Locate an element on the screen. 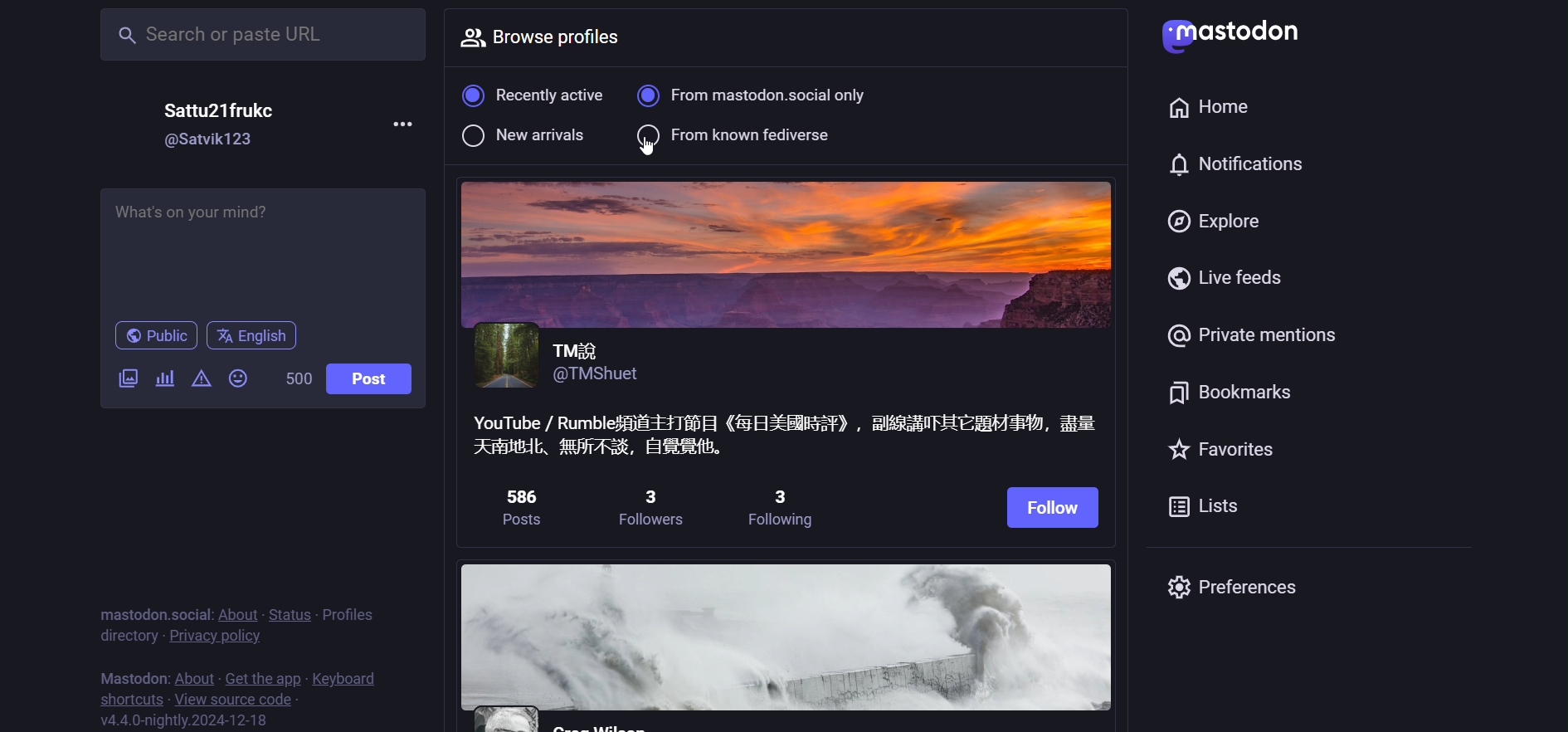 This screenshot has width=1568, height=732. notification is located at coordinates (1243, 160).